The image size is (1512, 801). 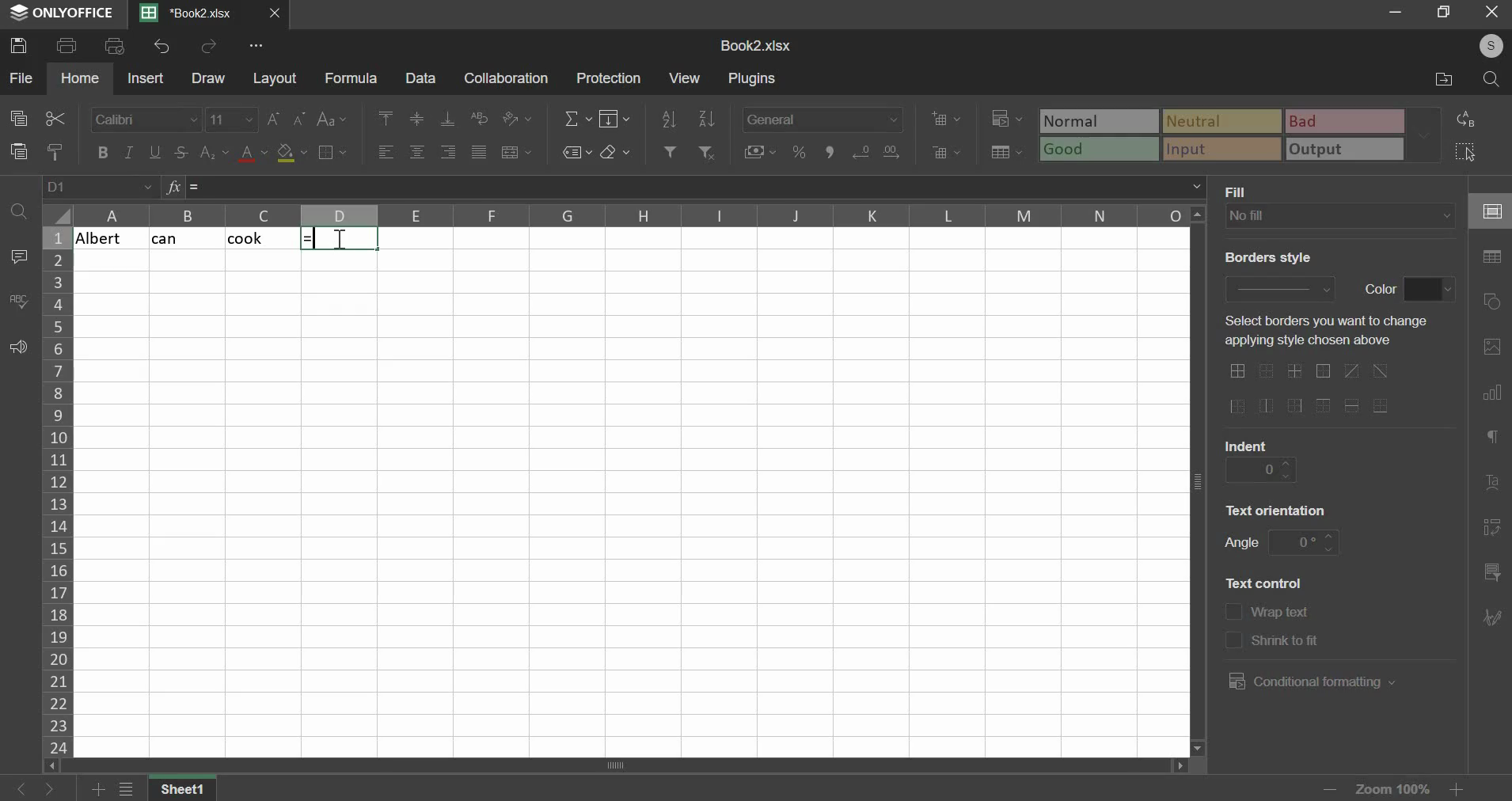 I want to click on align top, so click(x=388, y=119).